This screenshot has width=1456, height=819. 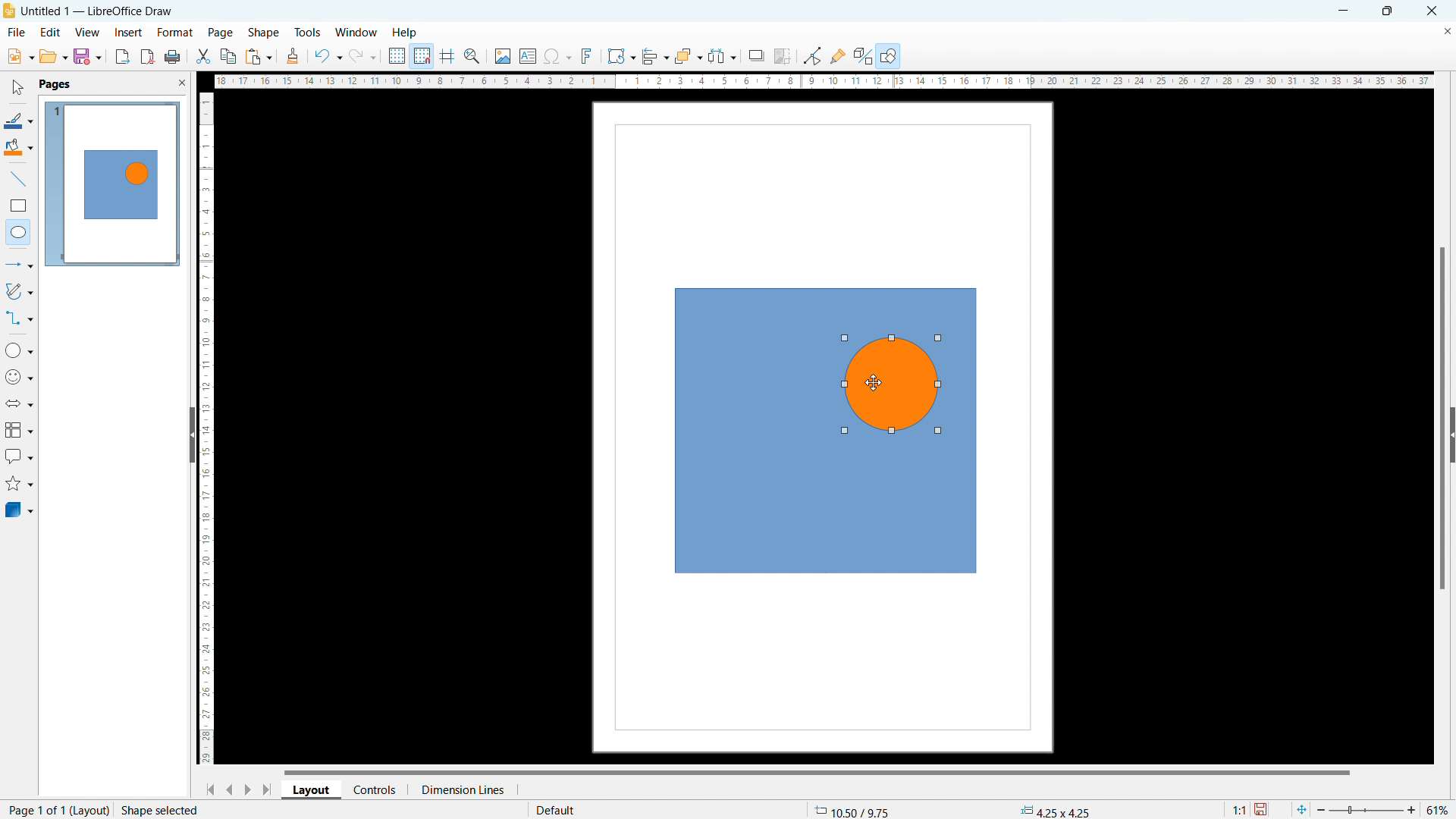 I want to click on cursor coordinates, so click(x=853, y=808).